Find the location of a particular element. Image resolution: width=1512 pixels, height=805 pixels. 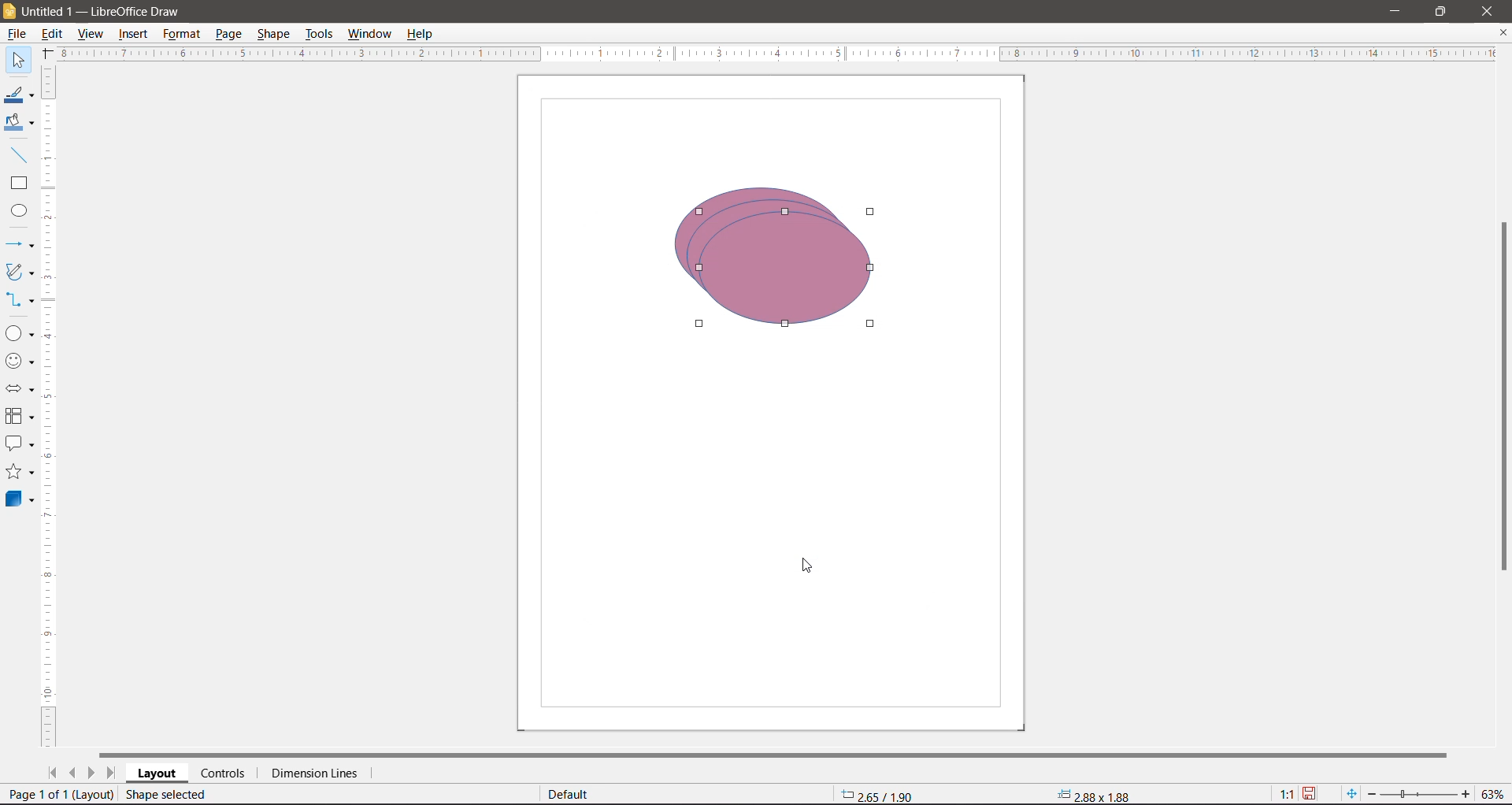

Object size is located at coordinates (1097, 796).